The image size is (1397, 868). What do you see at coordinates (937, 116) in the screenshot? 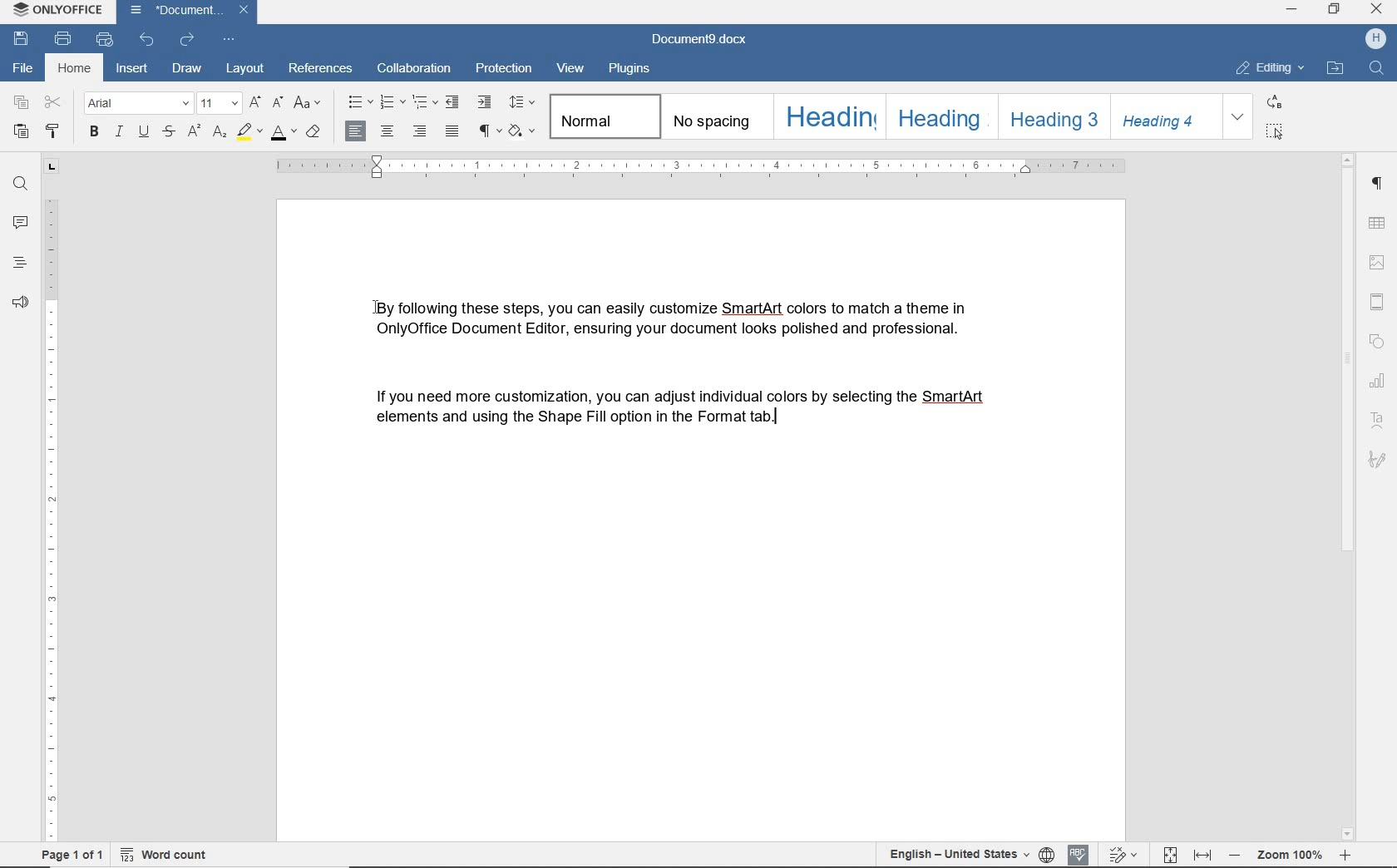
I see `heading 2` at bounding box center [937, 116].